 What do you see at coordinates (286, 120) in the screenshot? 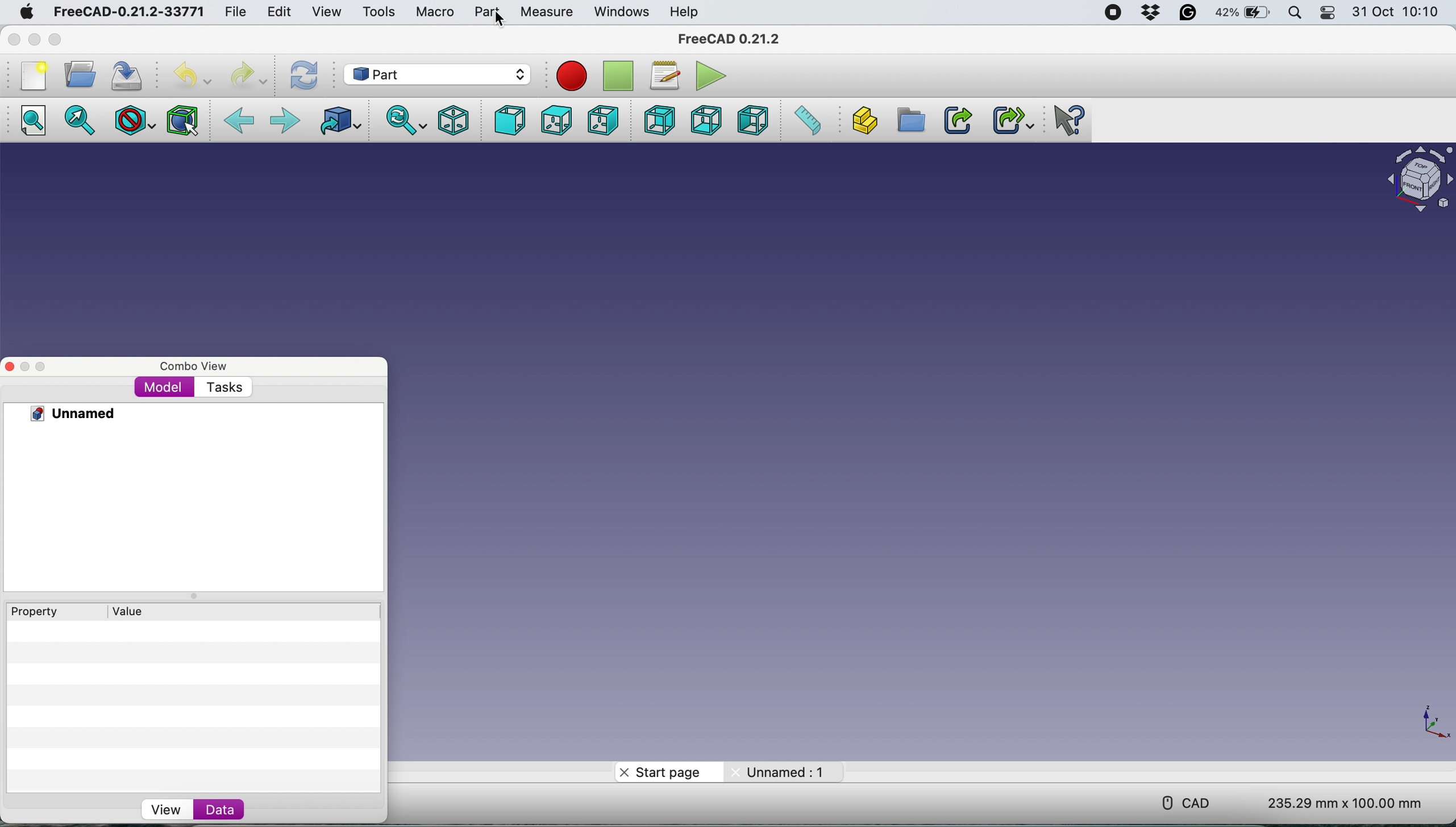
I see `Forward` at bounding box center [286, 120].